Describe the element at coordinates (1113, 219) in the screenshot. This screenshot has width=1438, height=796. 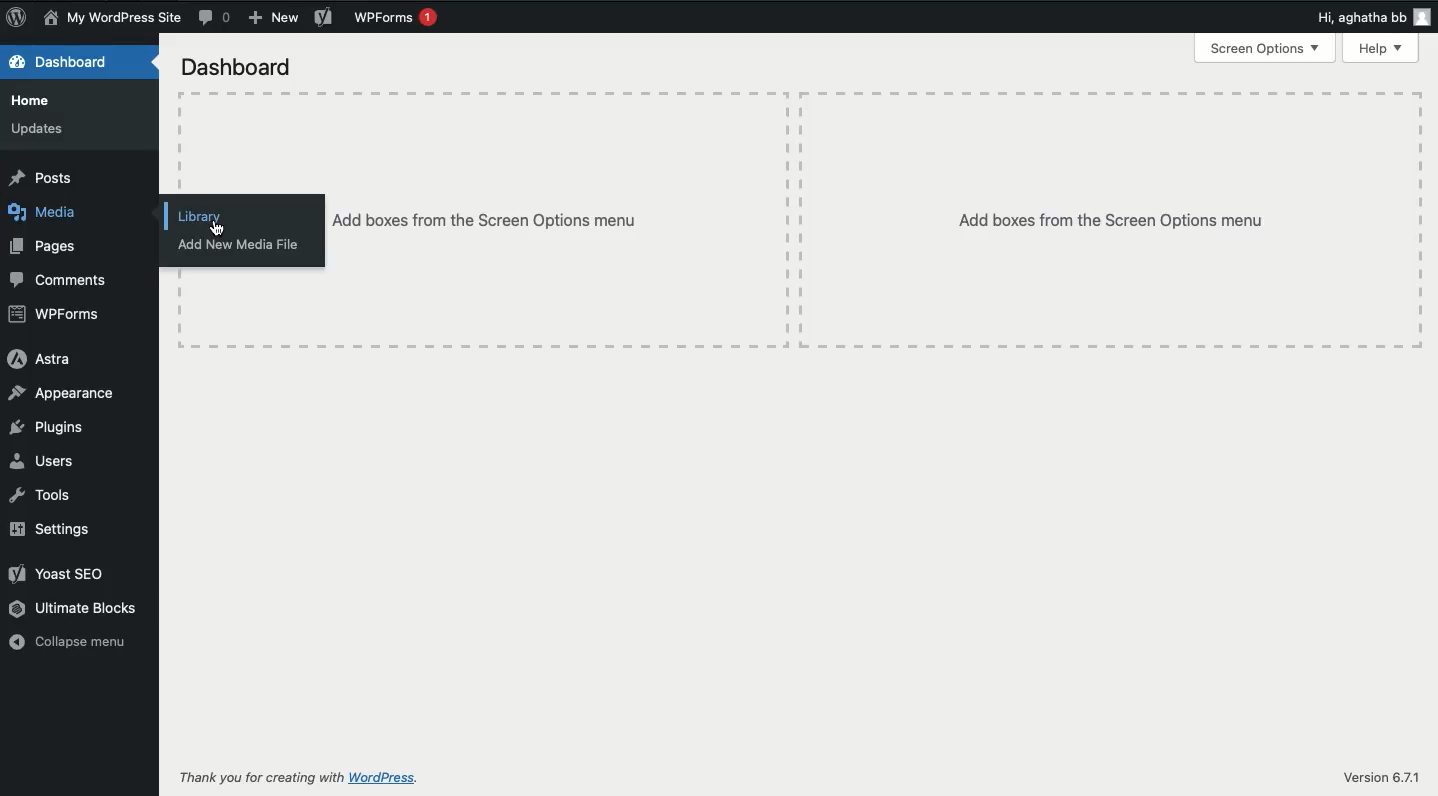
I see `Add boxes from the screen options menu` at that location.